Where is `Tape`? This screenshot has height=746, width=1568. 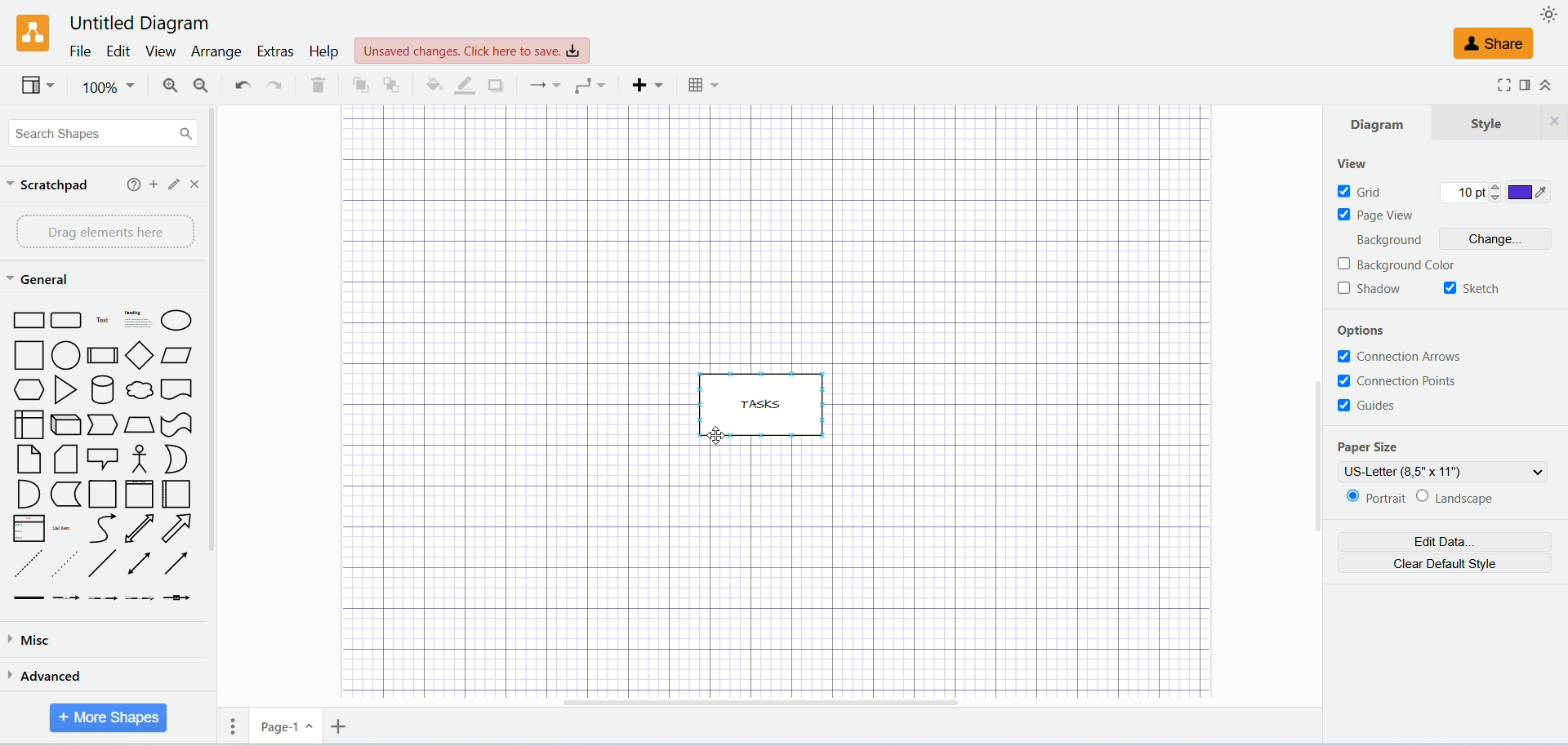 Tape is located at coordinates (176, 425).